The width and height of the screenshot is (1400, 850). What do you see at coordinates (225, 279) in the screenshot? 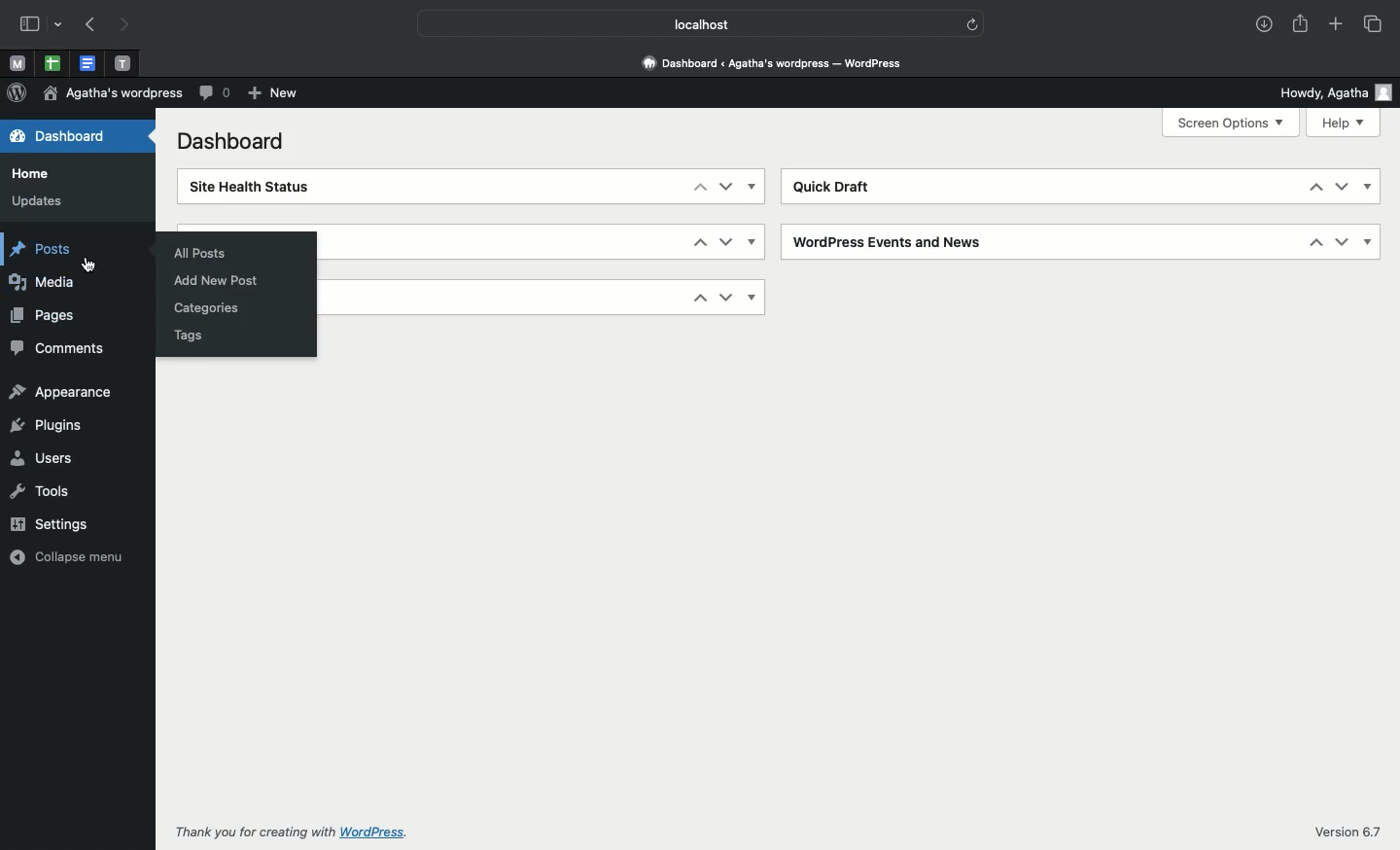
I see `Add new post` at bounding box center [225, 279].